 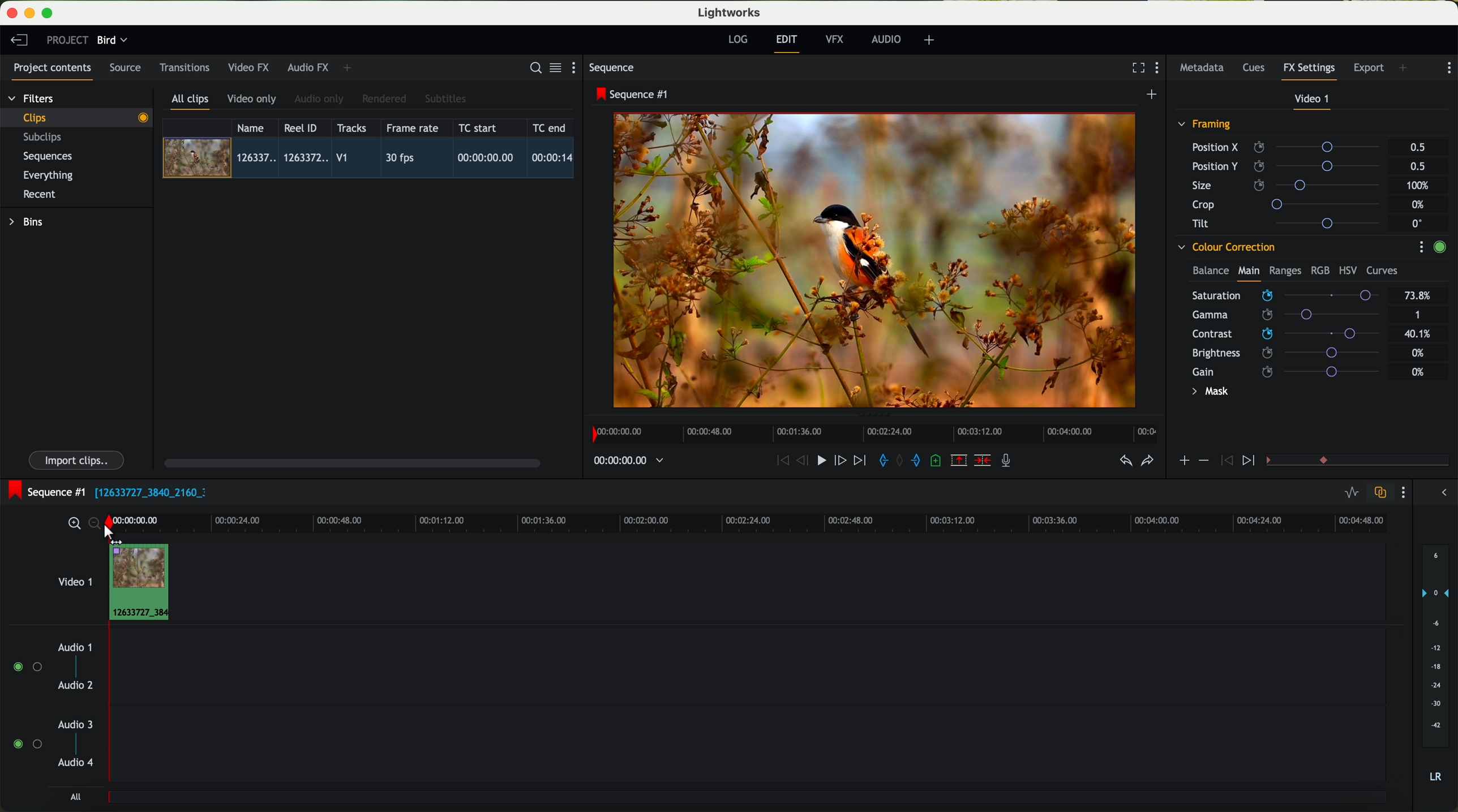 What do you see at coordinates (1421, 334) in the screenshot?
I see `40.1%` at bounding box center [1421, 334].